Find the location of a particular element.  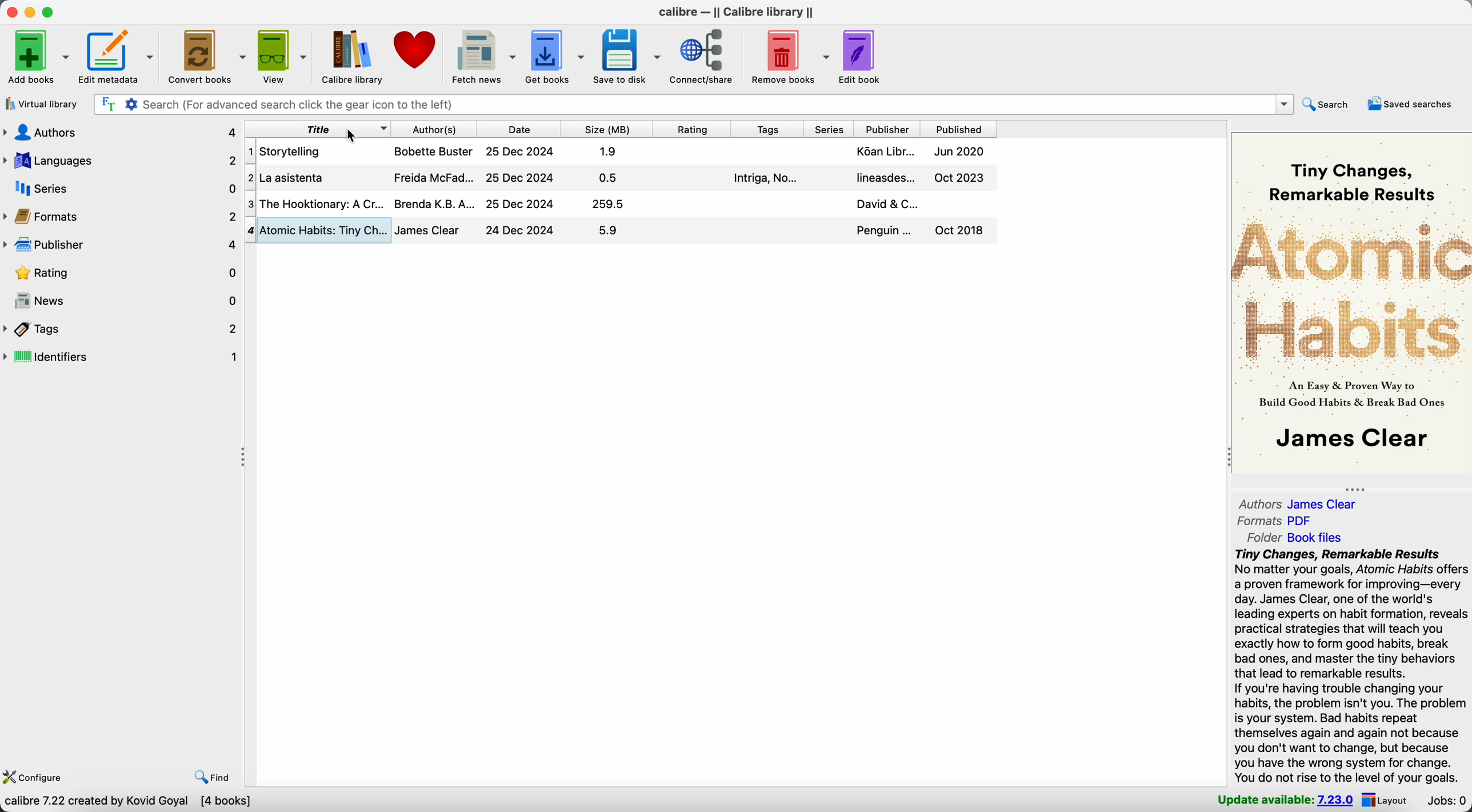

toggle expand/contract is located at coordinates (243, 458).